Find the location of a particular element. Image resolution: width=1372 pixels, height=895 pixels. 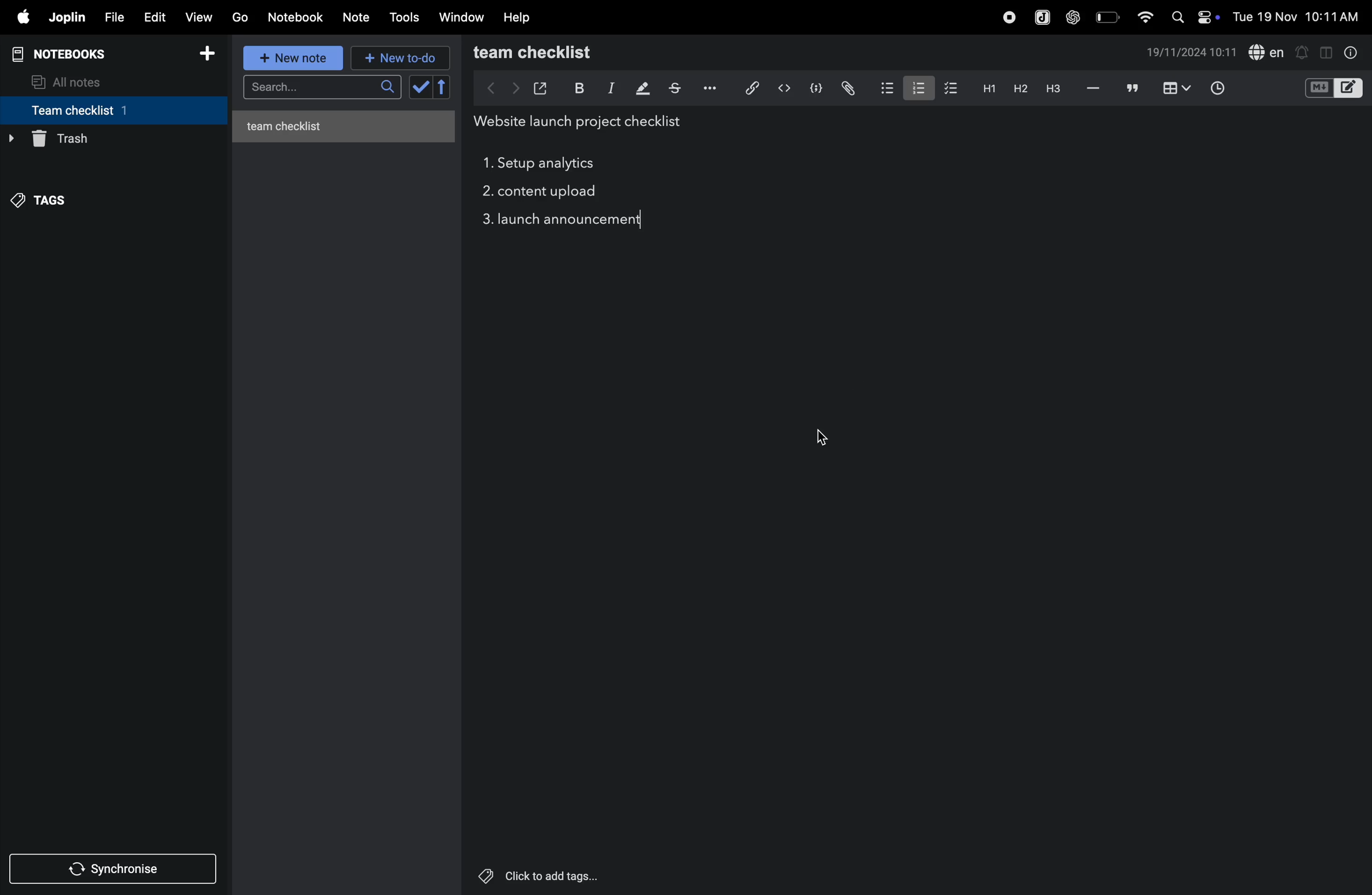

window is located at coordinates (461, 18).